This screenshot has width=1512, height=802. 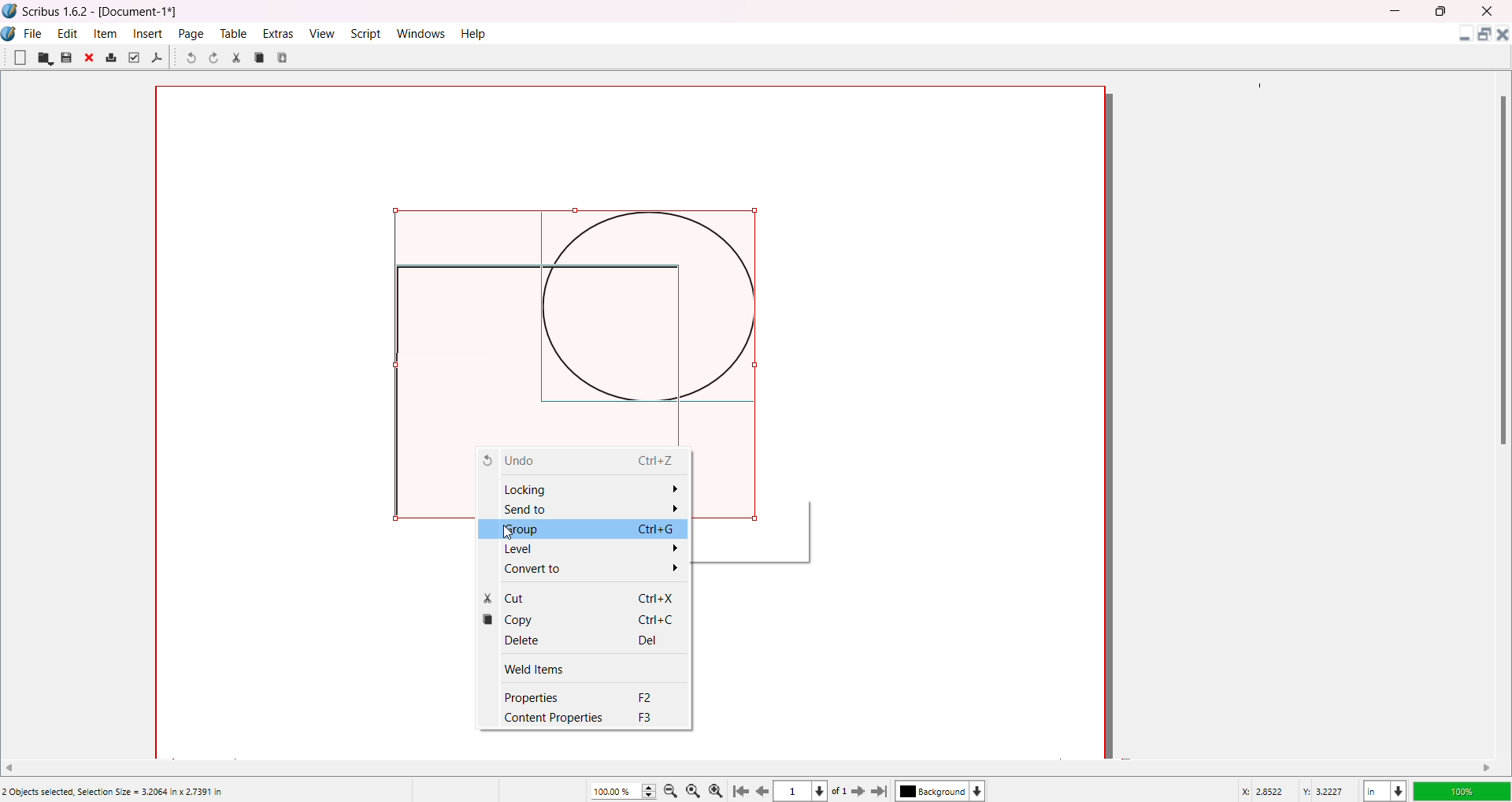 What do you see at coordinates (944, 791) in the screenshot?
I see `Background color` at bounding box center [944, 791].